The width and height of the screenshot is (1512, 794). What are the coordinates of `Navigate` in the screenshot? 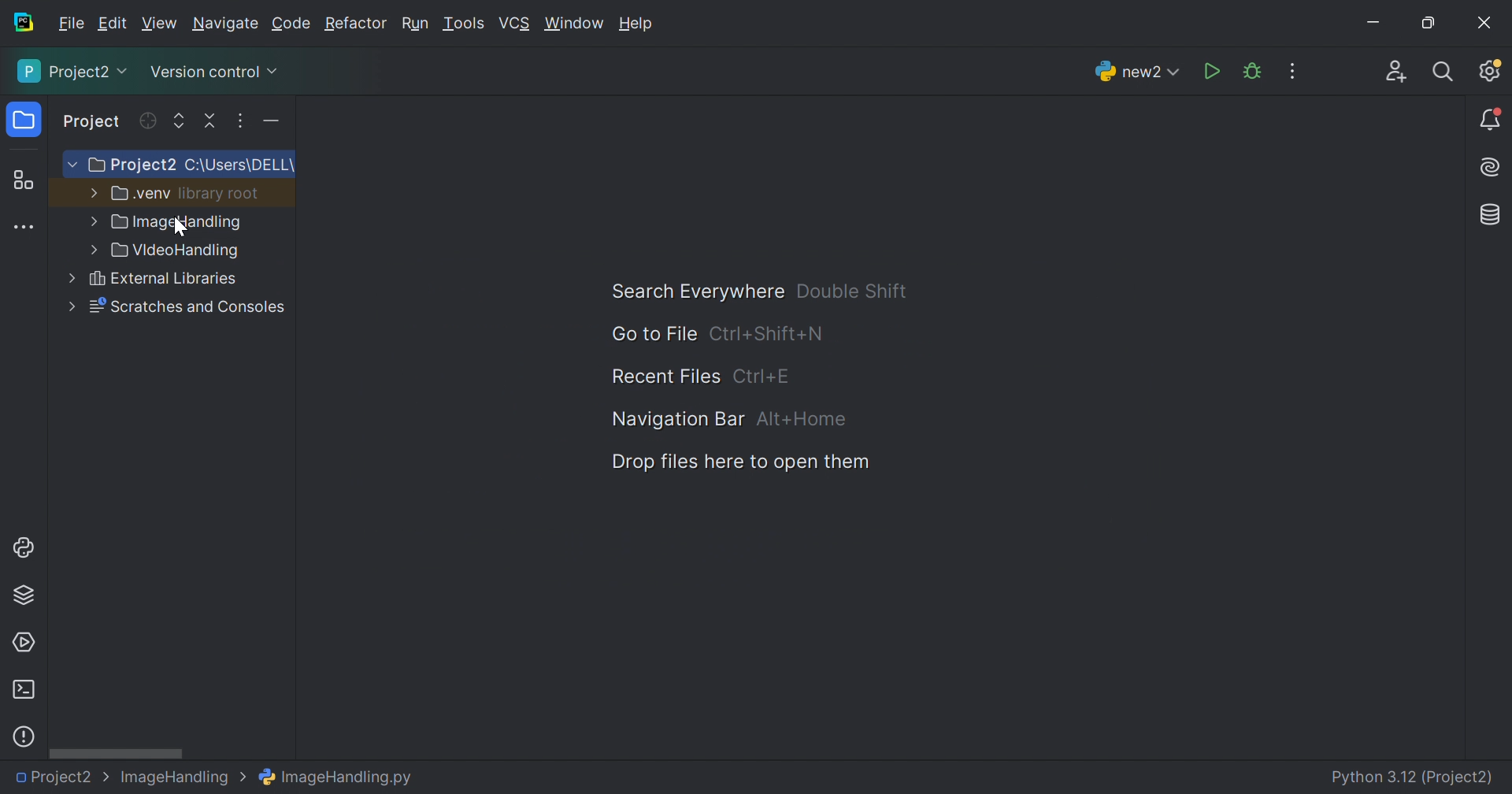 It's located at (227, 26).